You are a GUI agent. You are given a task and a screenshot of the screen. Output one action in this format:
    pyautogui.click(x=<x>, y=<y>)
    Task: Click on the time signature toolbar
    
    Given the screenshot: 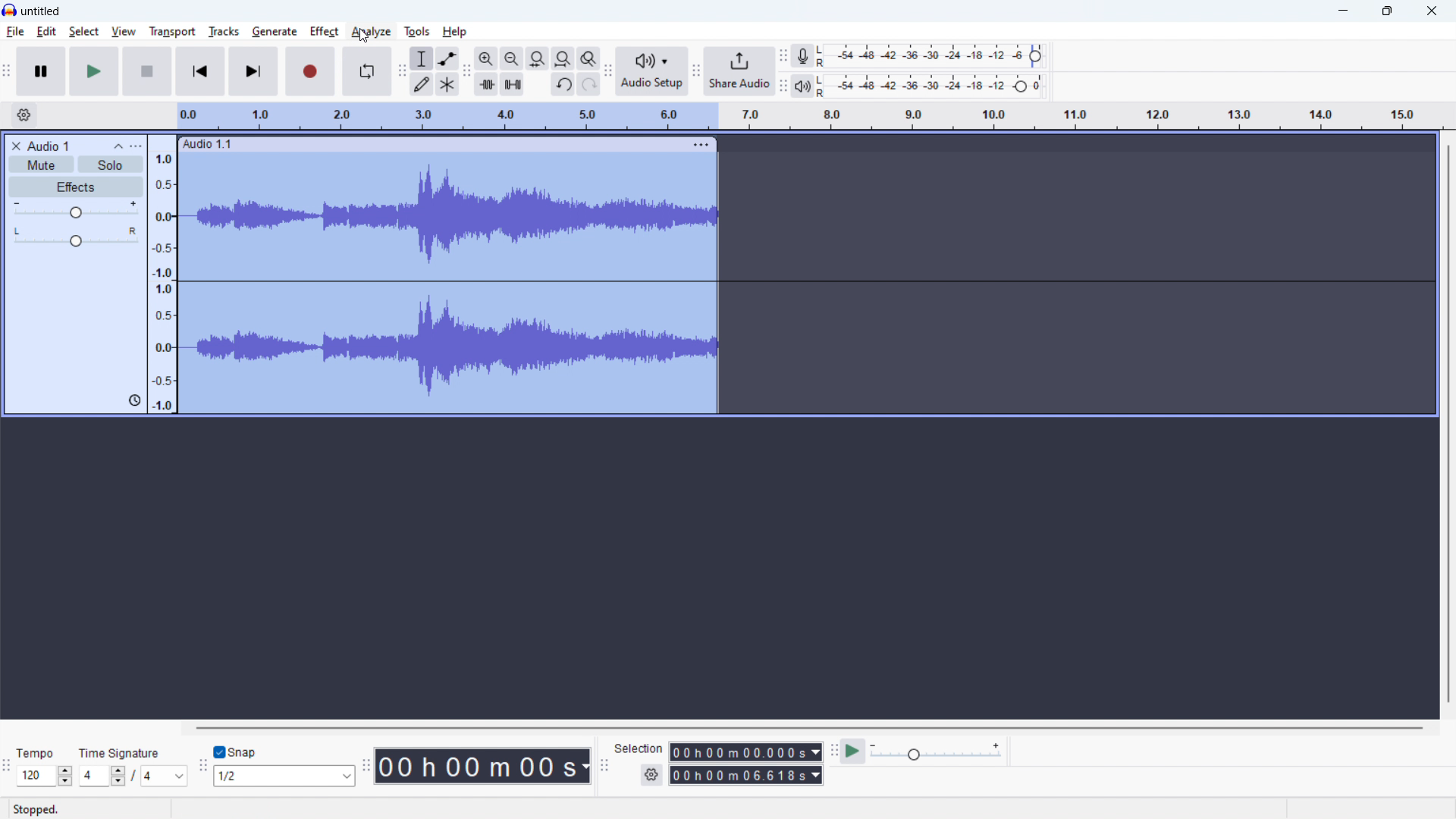 What is the action you would take?
    pyautogui.click(x=8, y=769)
    